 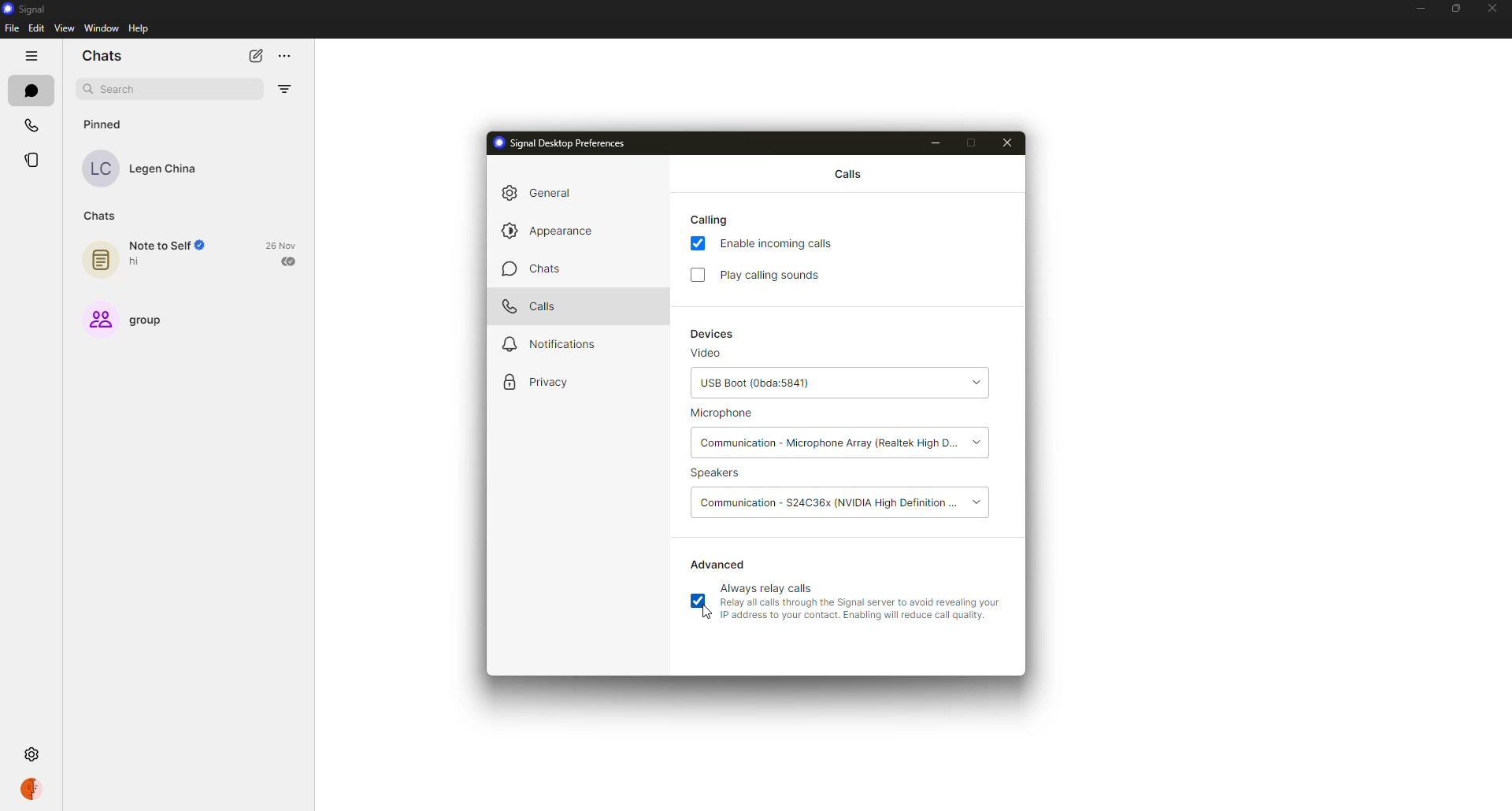 I want to click on enable incoming calls, so click(x=780, y=243).